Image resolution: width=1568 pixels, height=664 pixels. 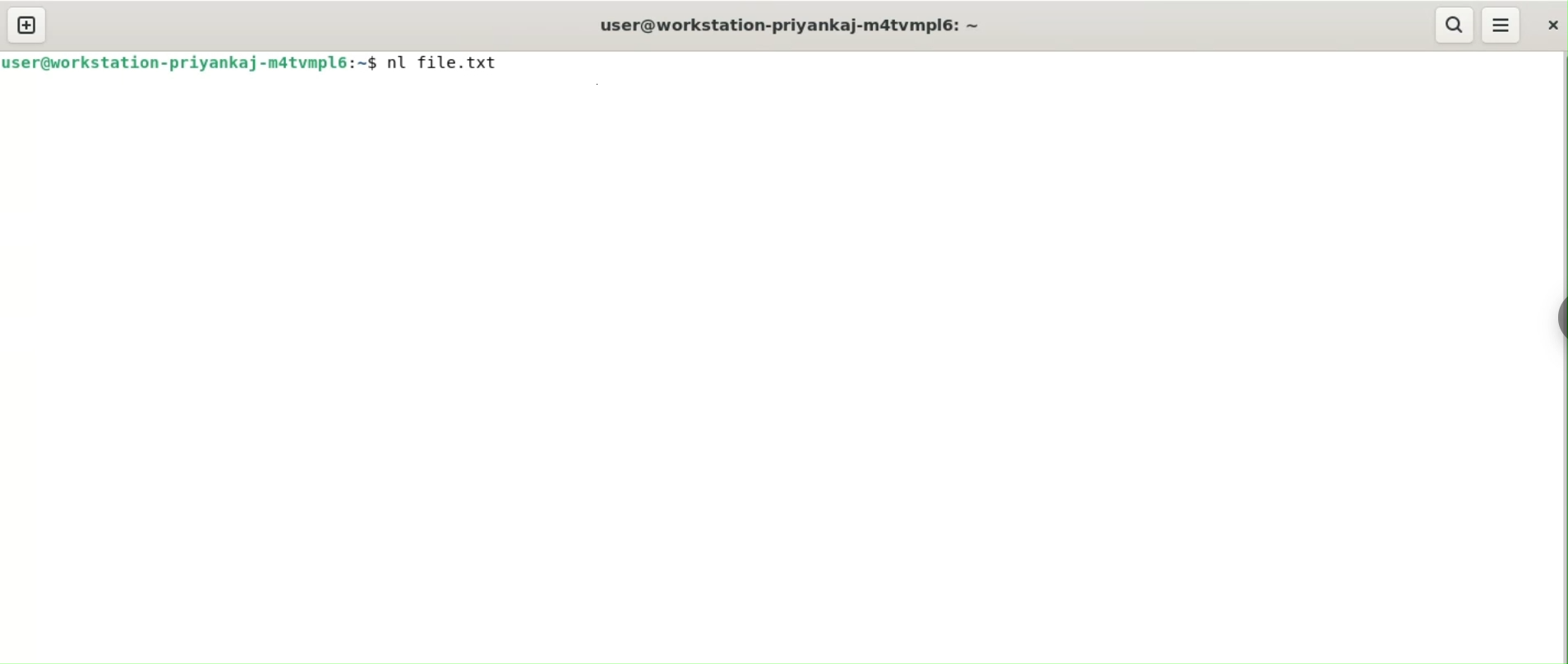 What do you see at coordinates (27, 24) in the screenshot?
I see `new tab` at bounding box center [27, 24].